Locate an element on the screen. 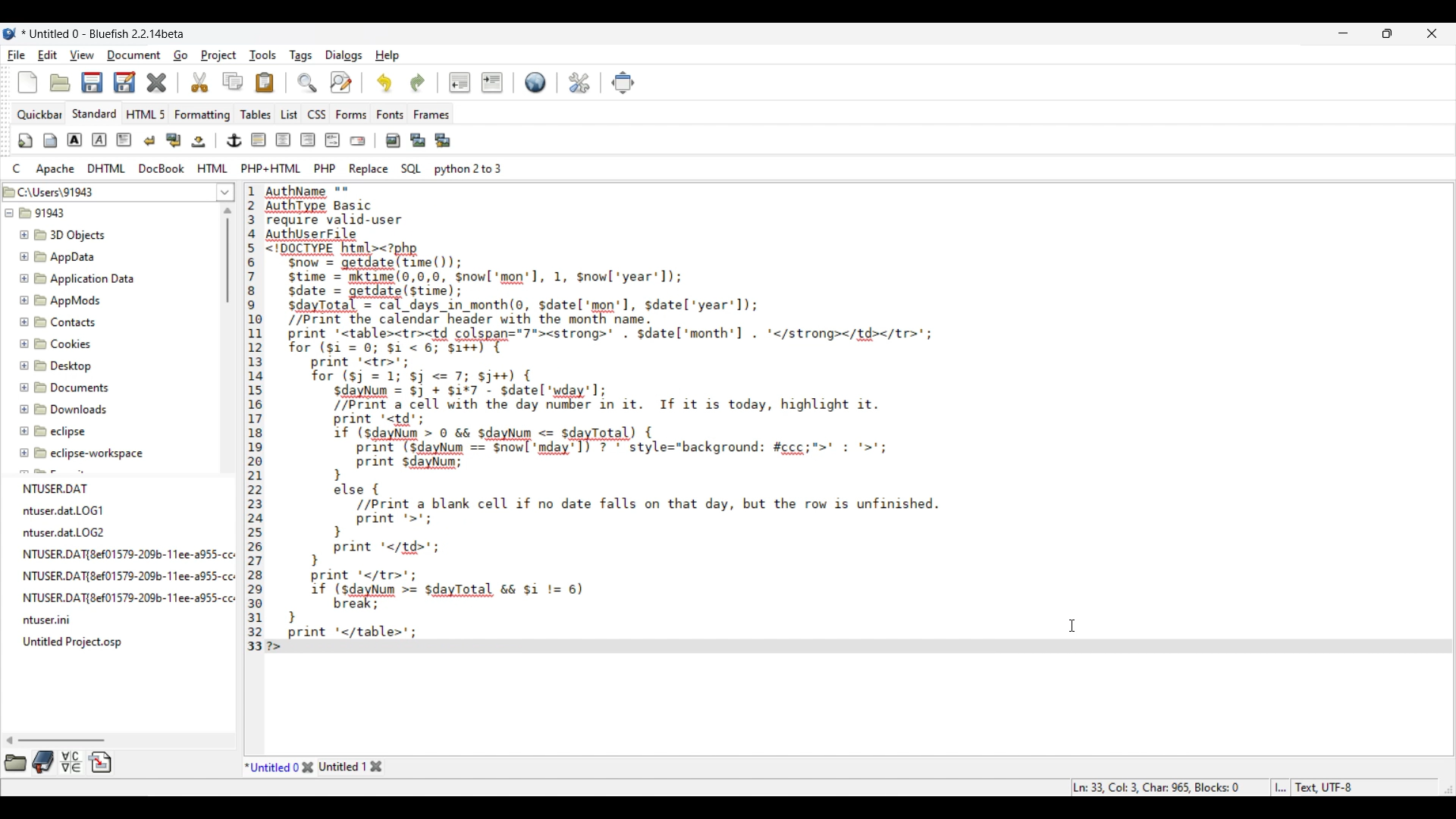  Minimize is located at coordinates (1344, 33).